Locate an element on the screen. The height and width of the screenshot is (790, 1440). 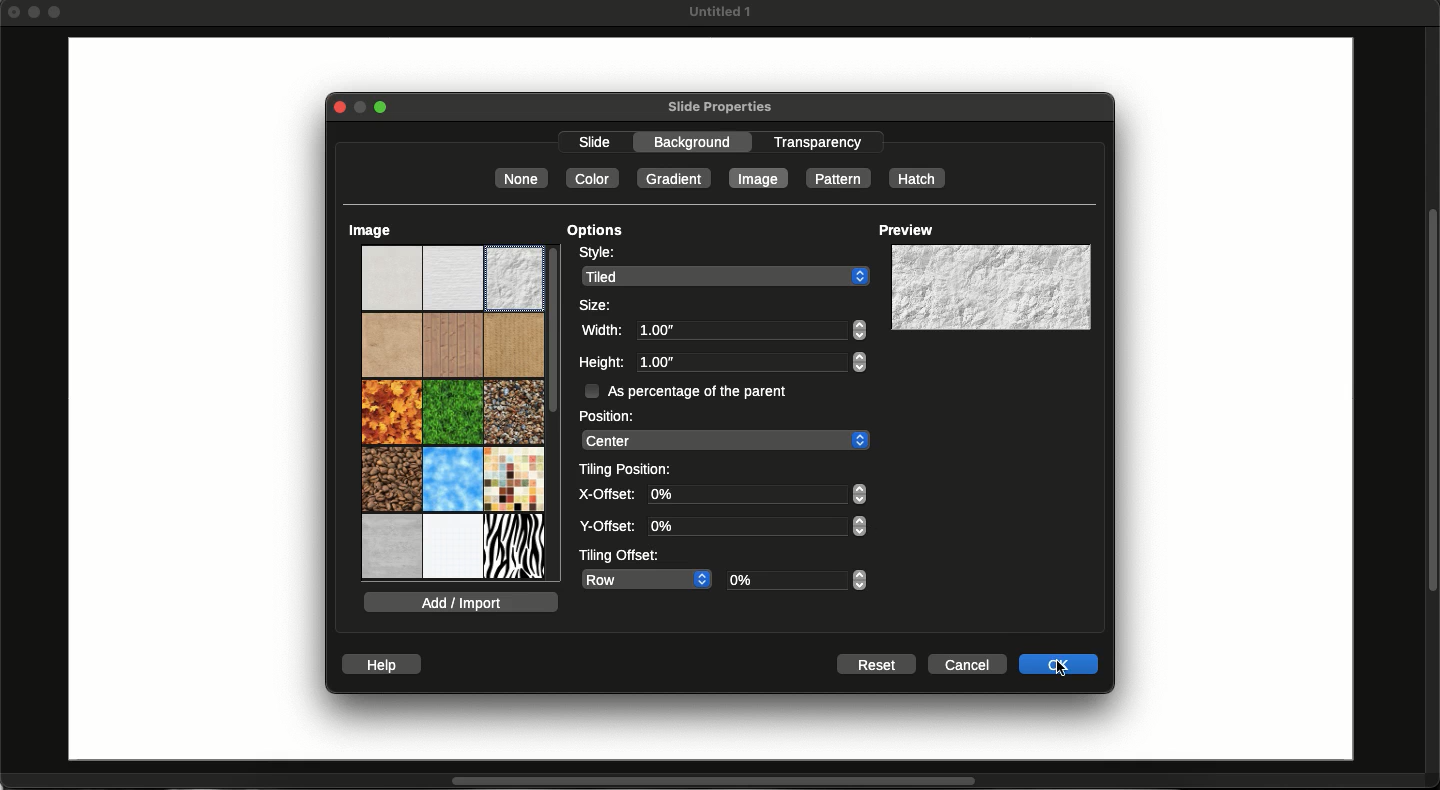
Close is located at coordinates (336, 107).